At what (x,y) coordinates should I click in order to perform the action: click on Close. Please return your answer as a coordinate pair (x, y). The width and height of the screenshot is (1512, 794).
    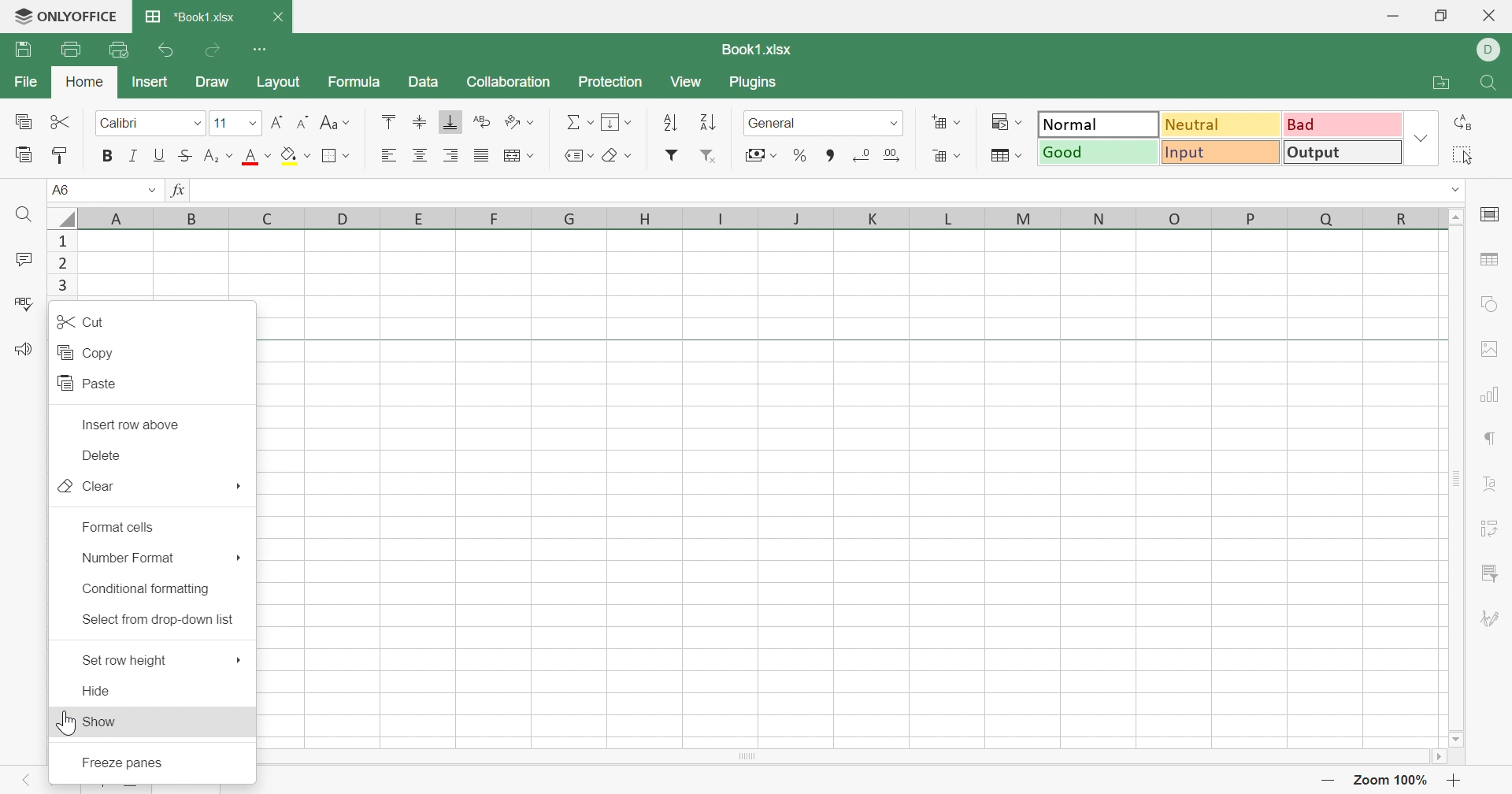
    Looking at the image, I should click on (275, 16).